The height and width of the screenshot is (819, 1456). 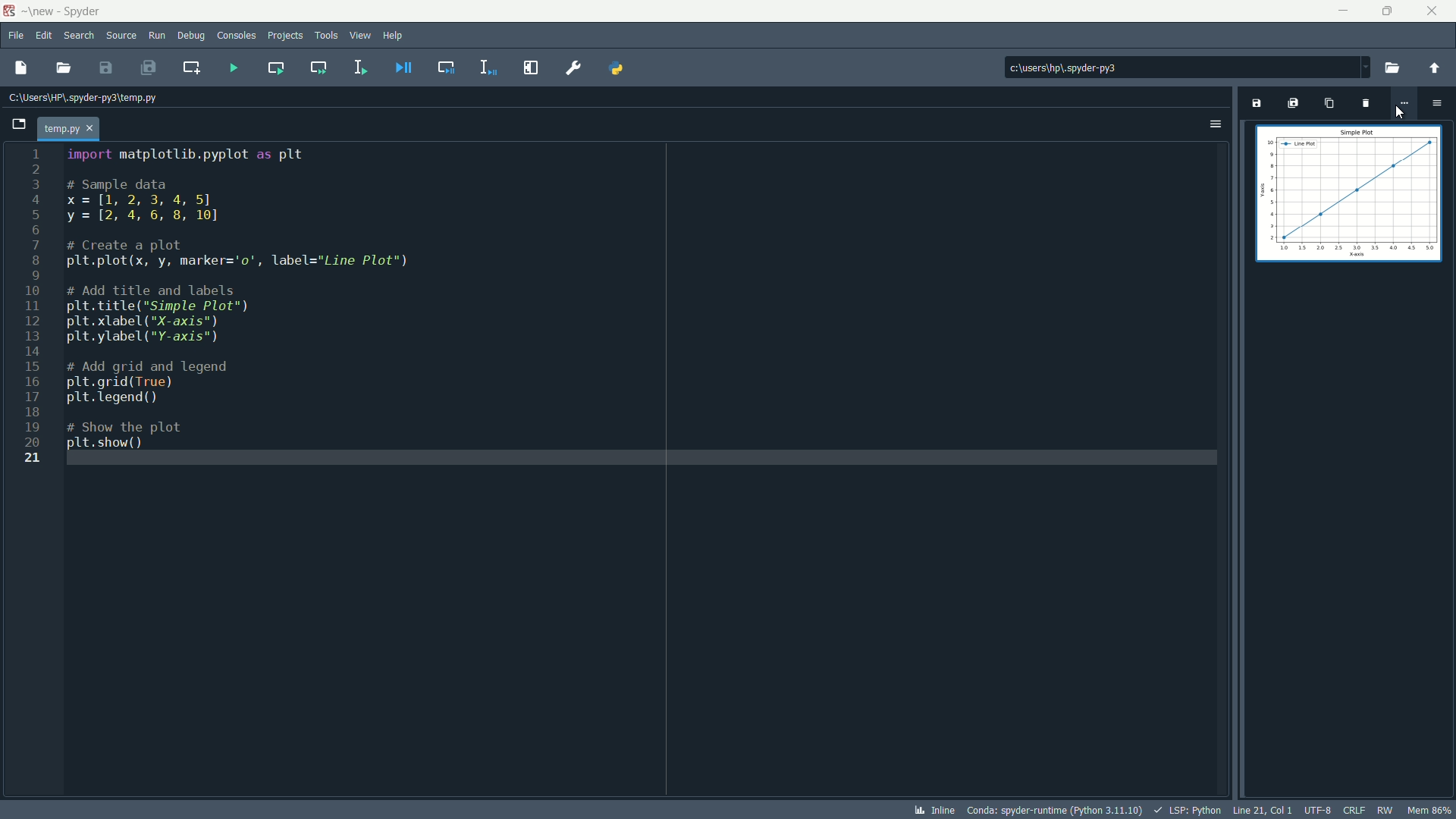 What do you see at coordinates (530, 67) in the screenshot?
I see `maximize current pane` at bounding box center [530, 67].